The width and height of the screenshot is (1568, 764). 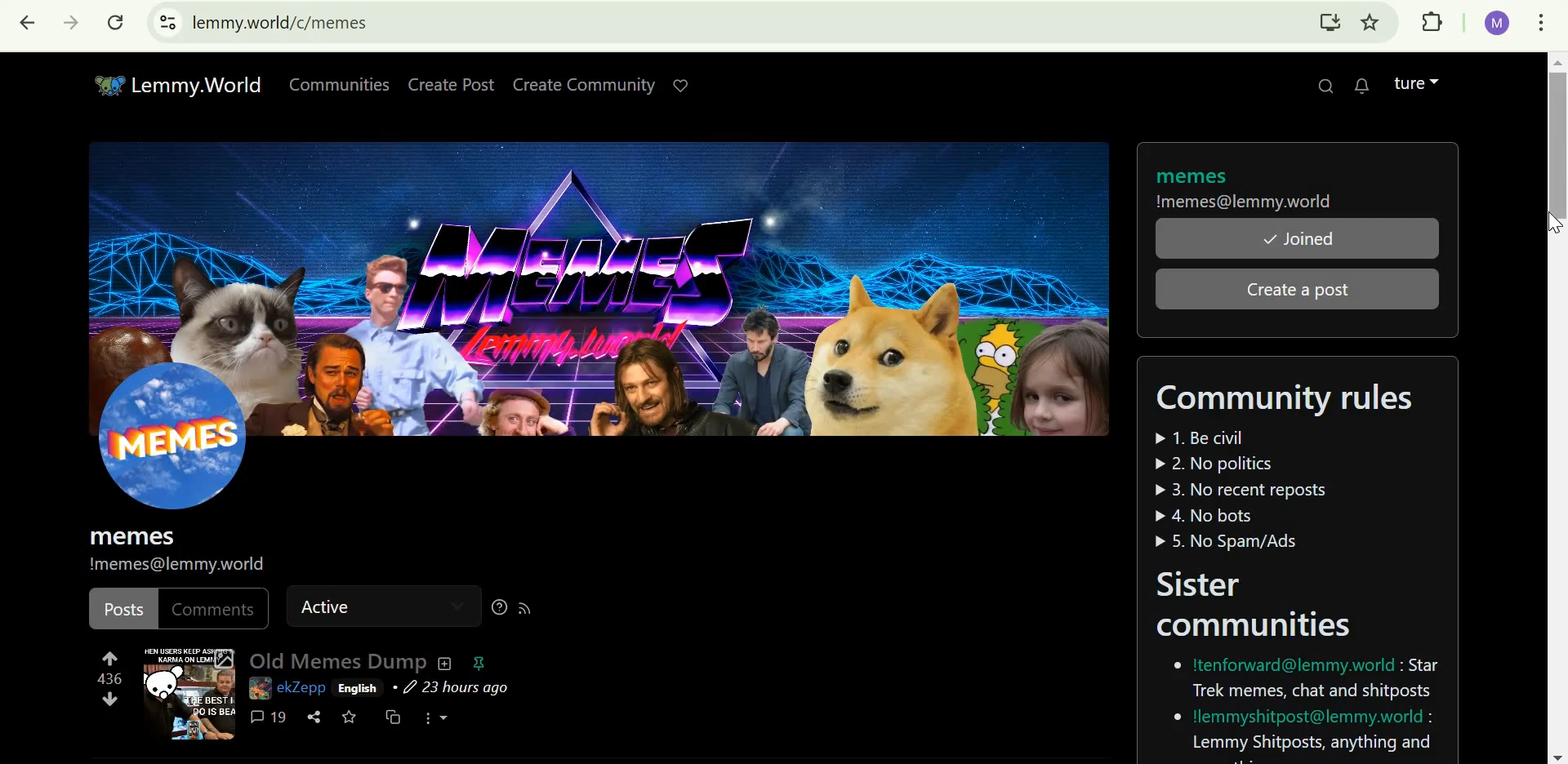 What do you see at coordinates (110, 700) in the screenshot?
I see `downvote` at bounding box center [110, 700].